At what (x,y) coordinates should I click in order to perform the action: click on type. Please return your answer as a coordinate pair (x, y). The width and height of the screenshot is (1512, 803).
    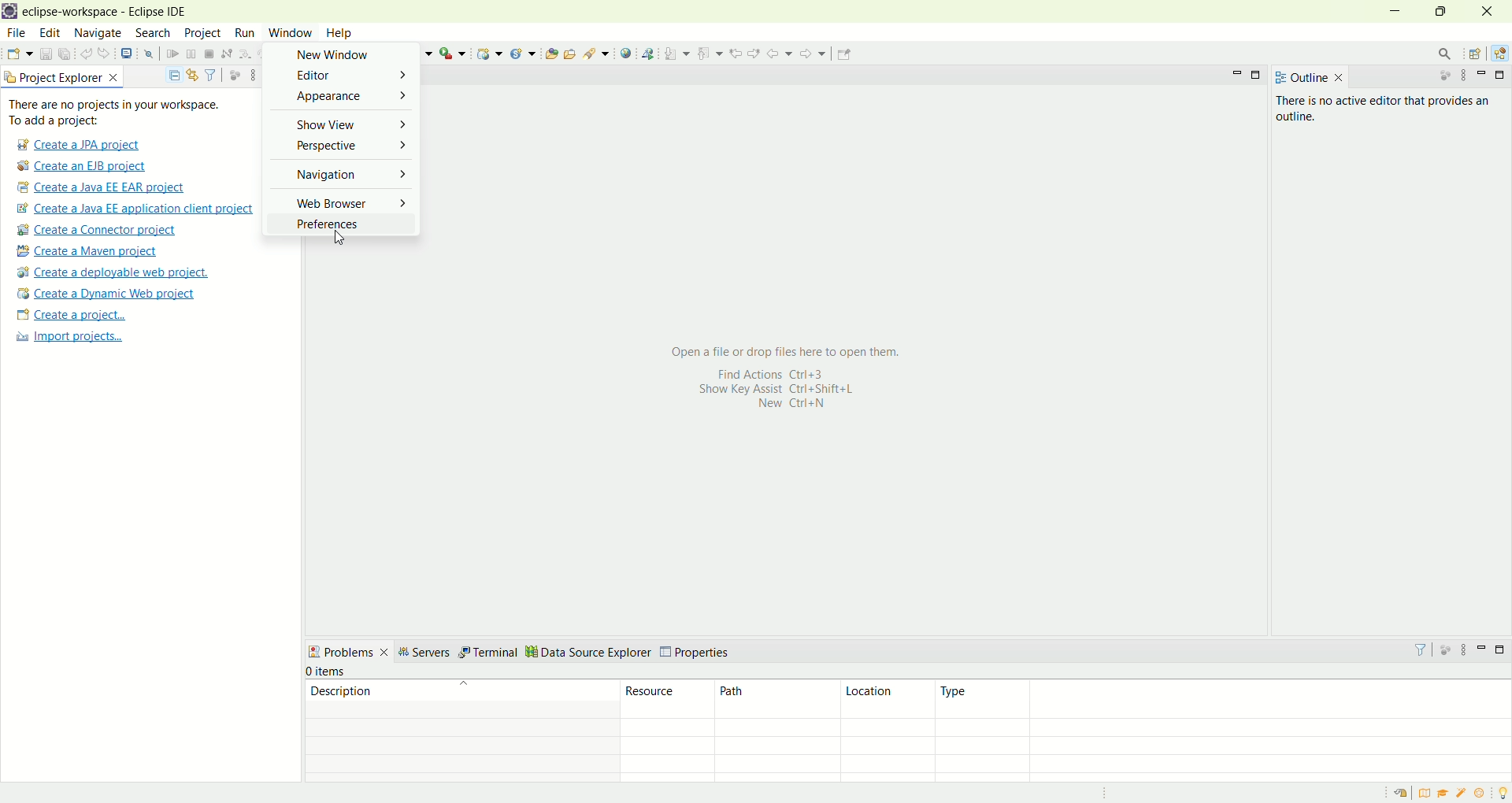
    Looking at the image, I should click on (1222, 700).